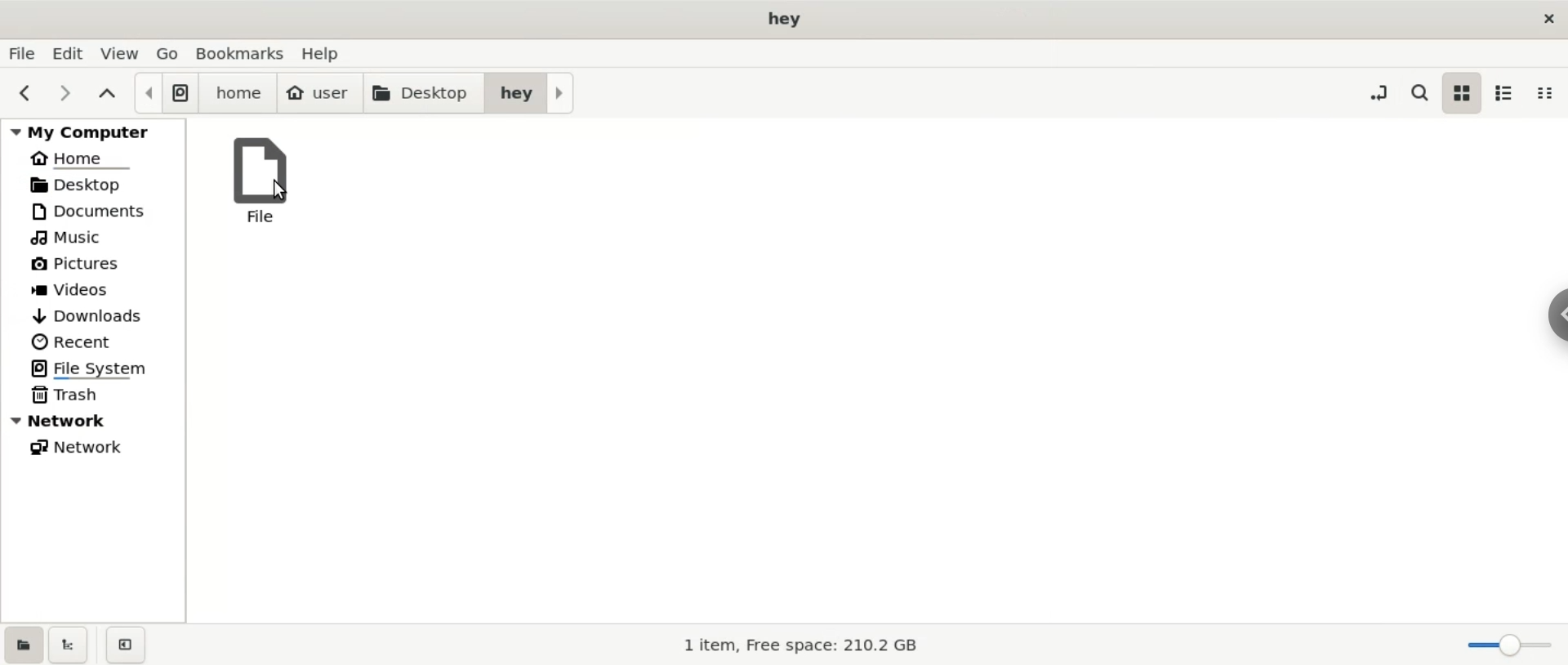  I want to click on home, so click(238, 94).